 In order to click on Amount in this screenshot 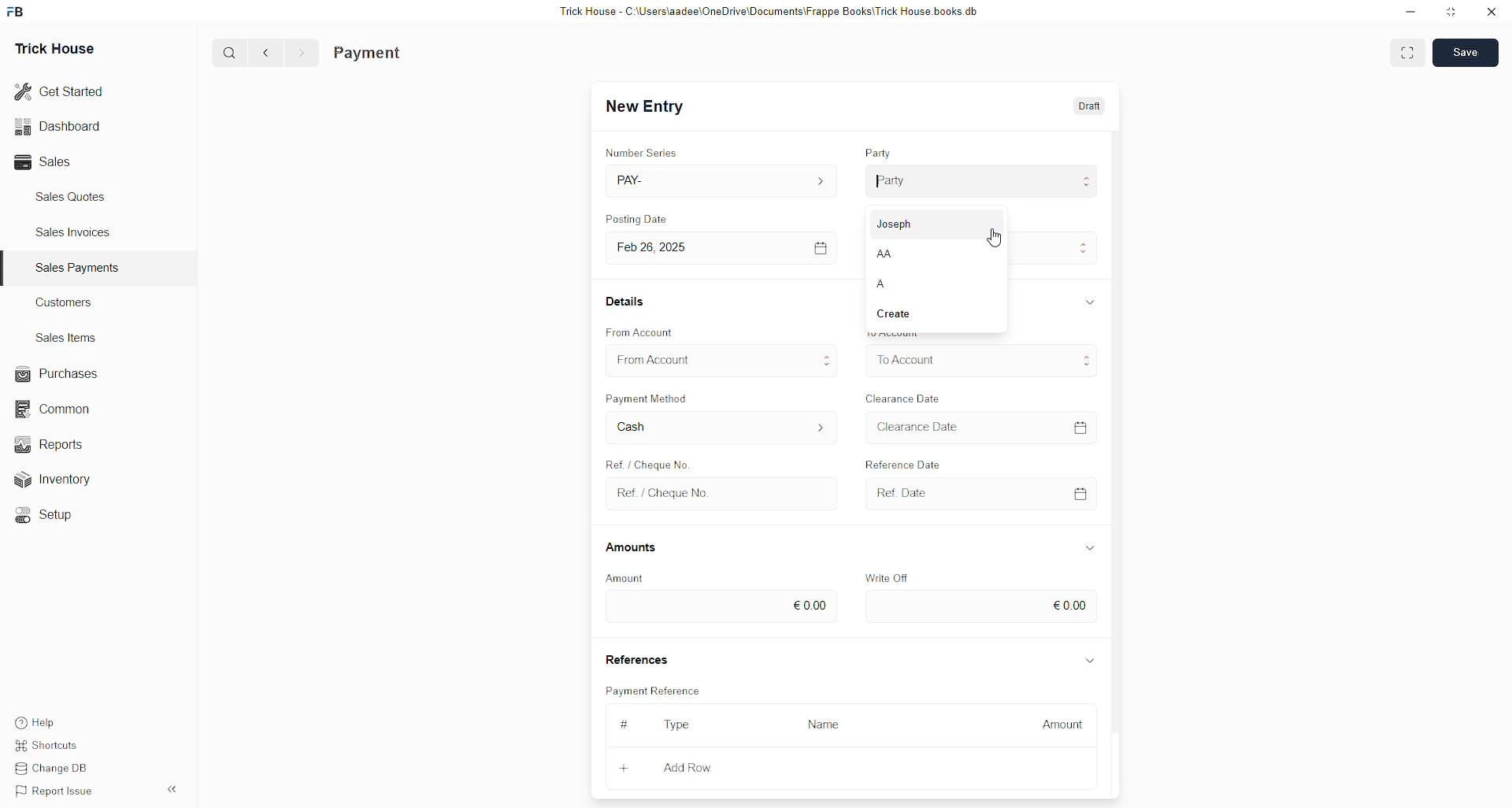, I will do `click(1056, 726)`.